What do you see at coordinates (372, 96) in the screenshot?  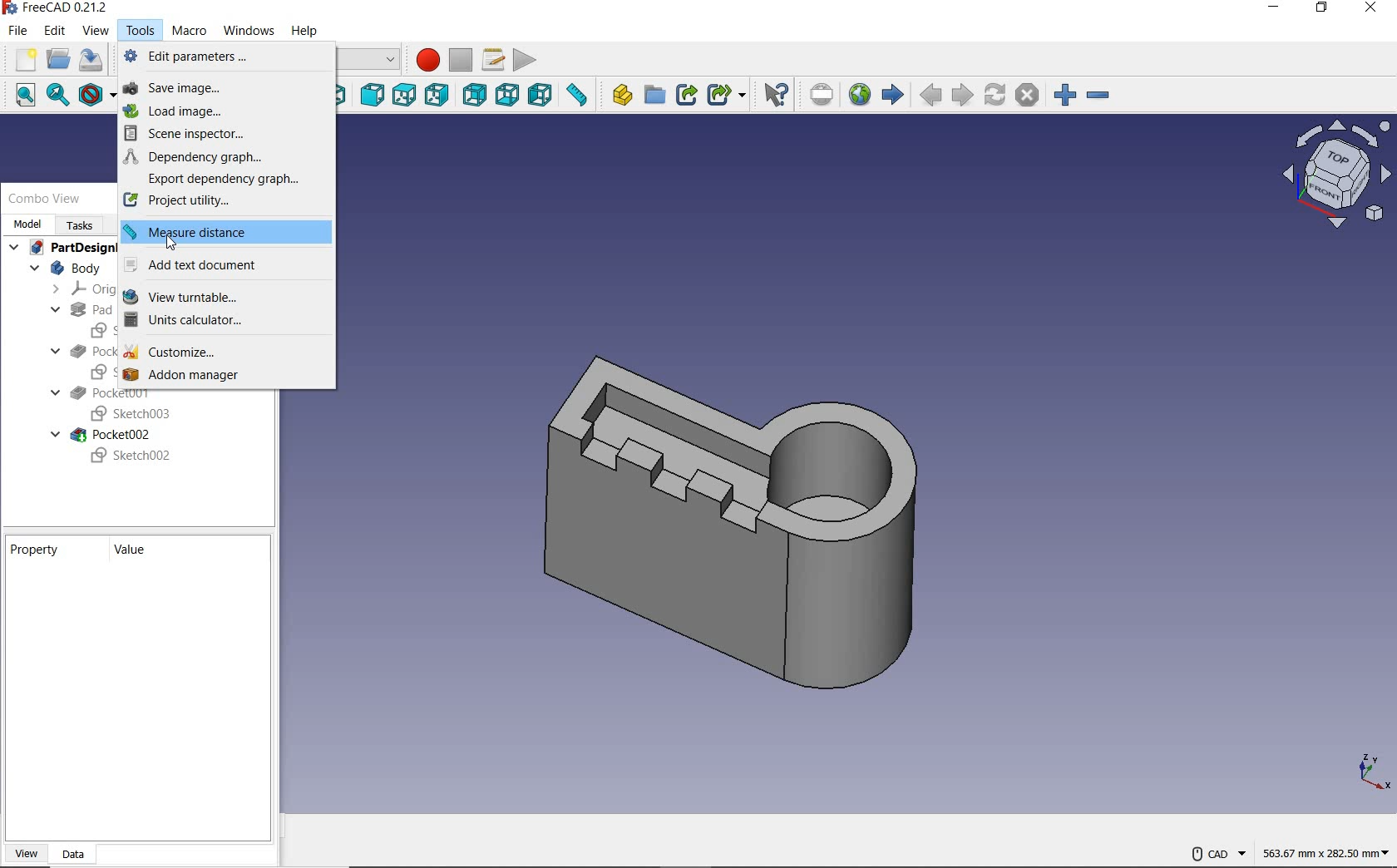 I see `front` at bounding box center [372, 96].